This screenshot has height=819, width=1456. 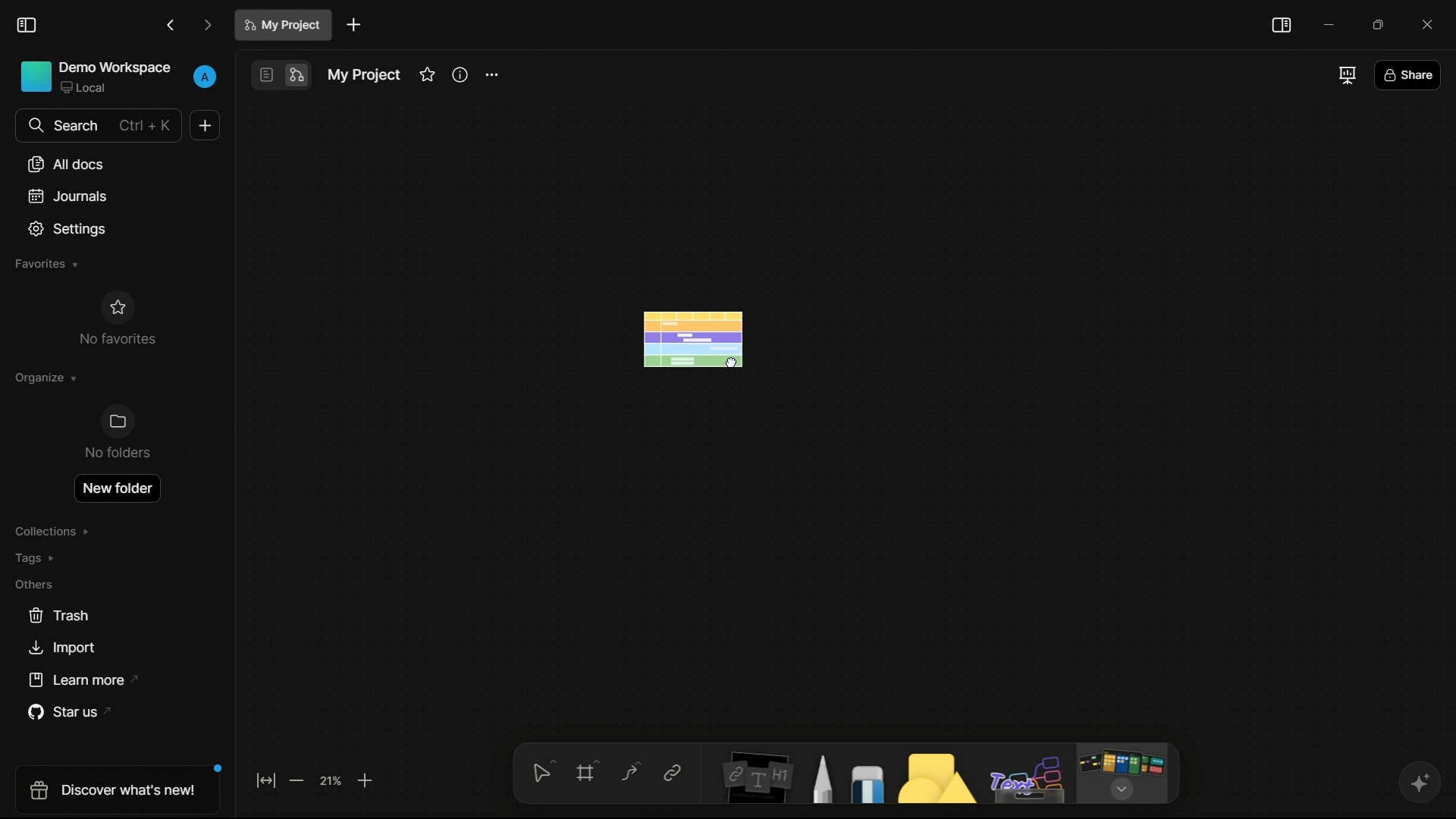 What do you see at coordinates (46, 265) in the screenshot?
I see `favorites` at bounding box center [46, 265].